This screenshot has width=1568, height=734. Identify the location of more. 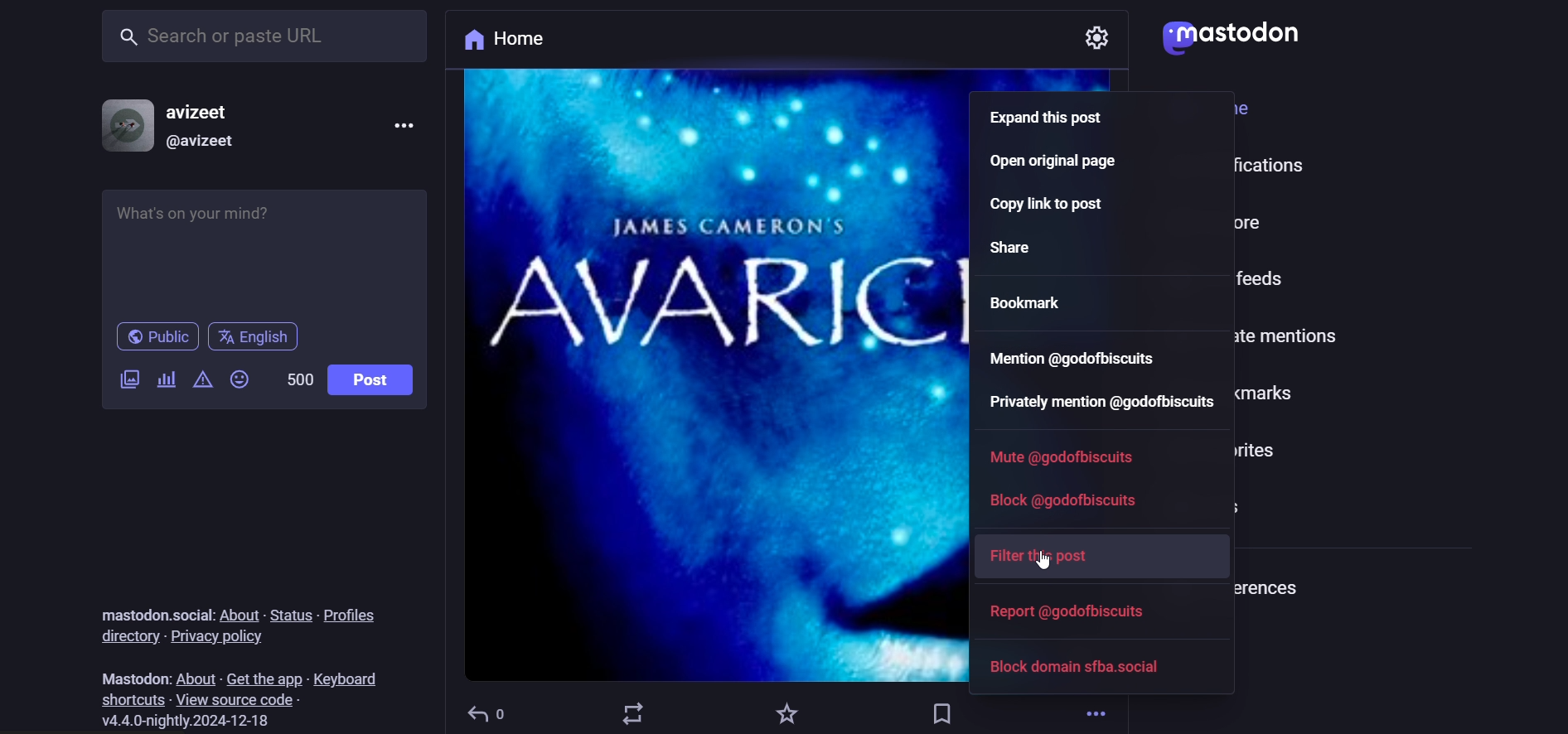
(410, 124).